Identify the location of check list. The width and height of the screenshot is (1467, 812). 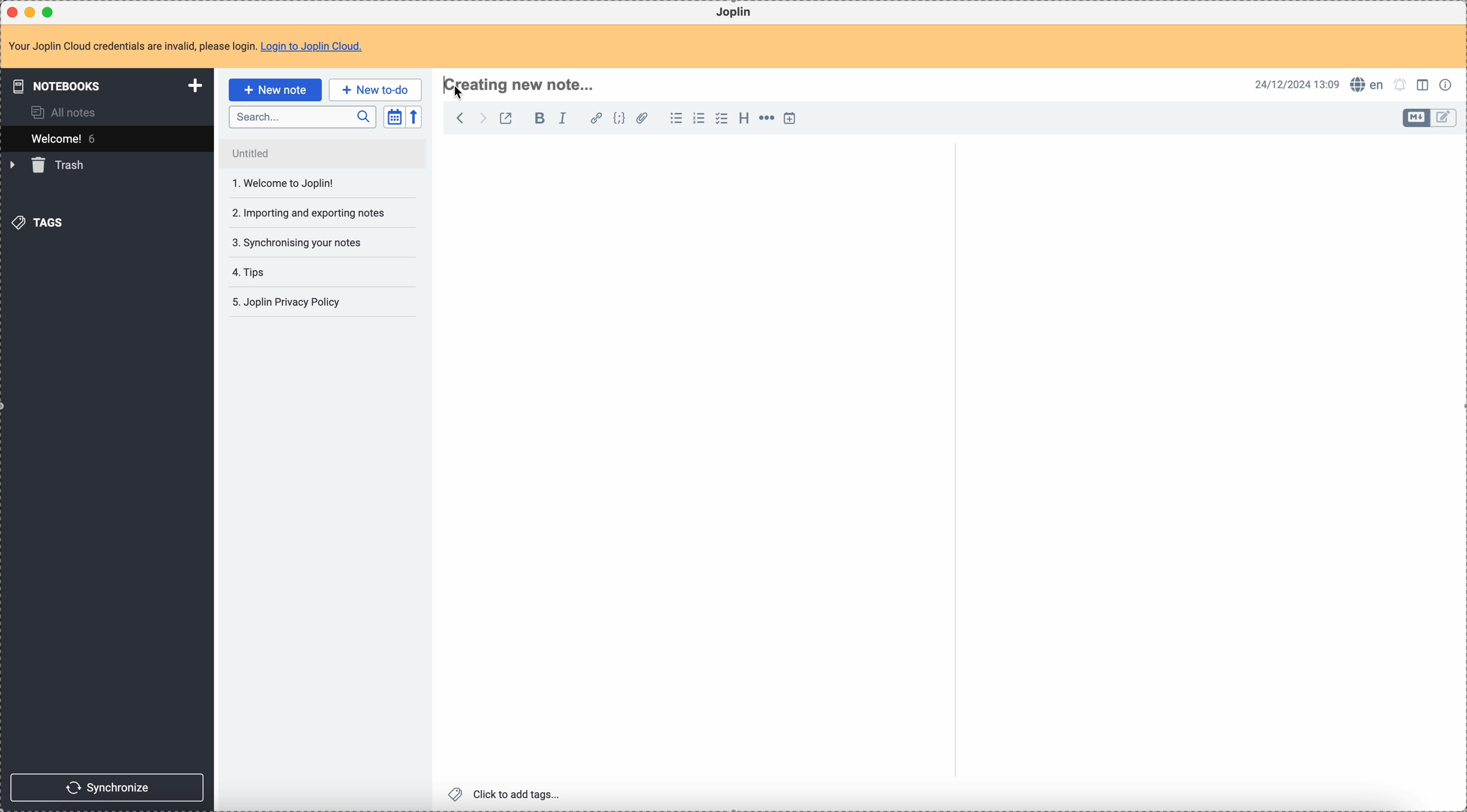
(721, 118).